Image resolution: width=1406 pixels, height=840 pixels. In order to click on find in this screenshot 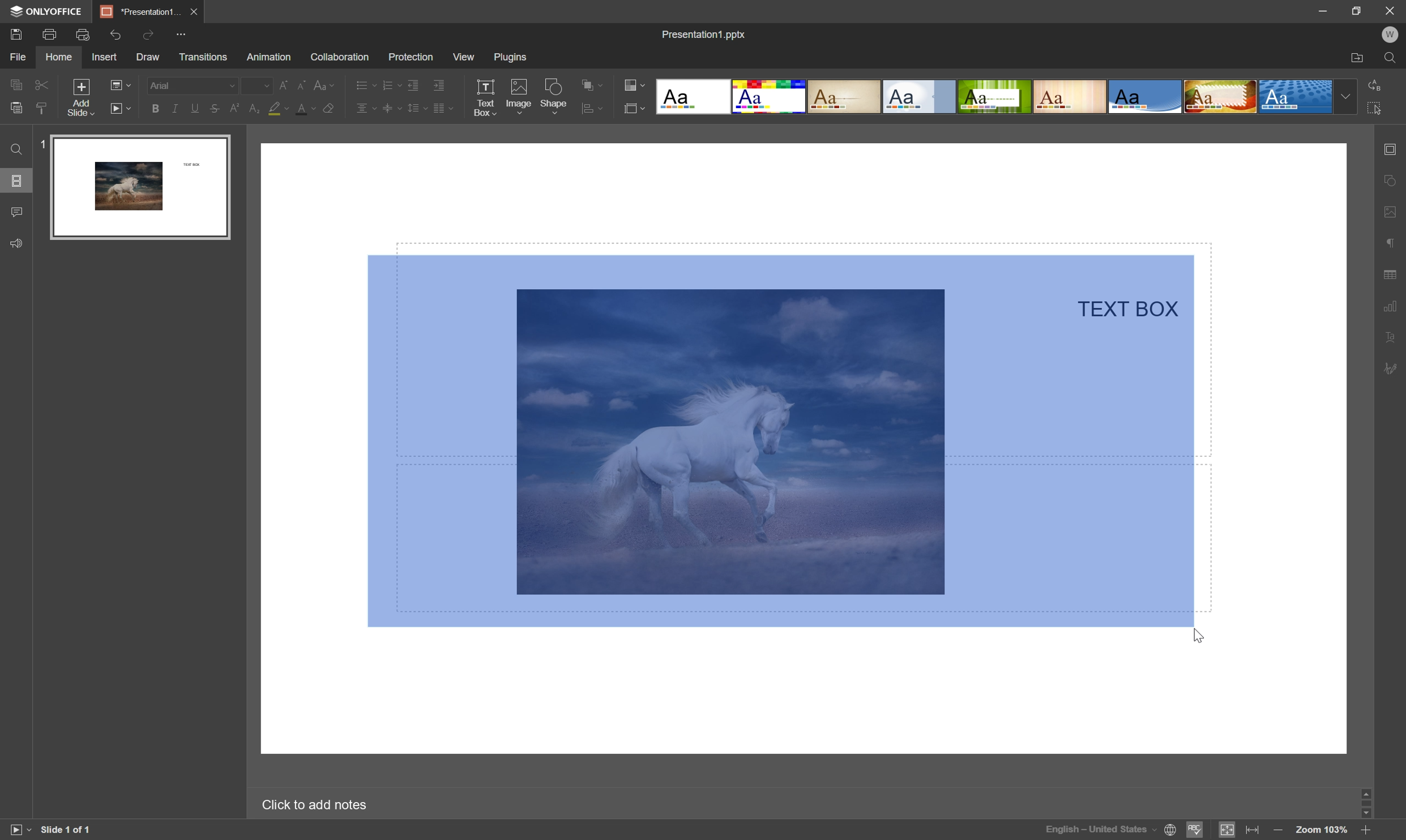, I will do `click(15, 149)`.